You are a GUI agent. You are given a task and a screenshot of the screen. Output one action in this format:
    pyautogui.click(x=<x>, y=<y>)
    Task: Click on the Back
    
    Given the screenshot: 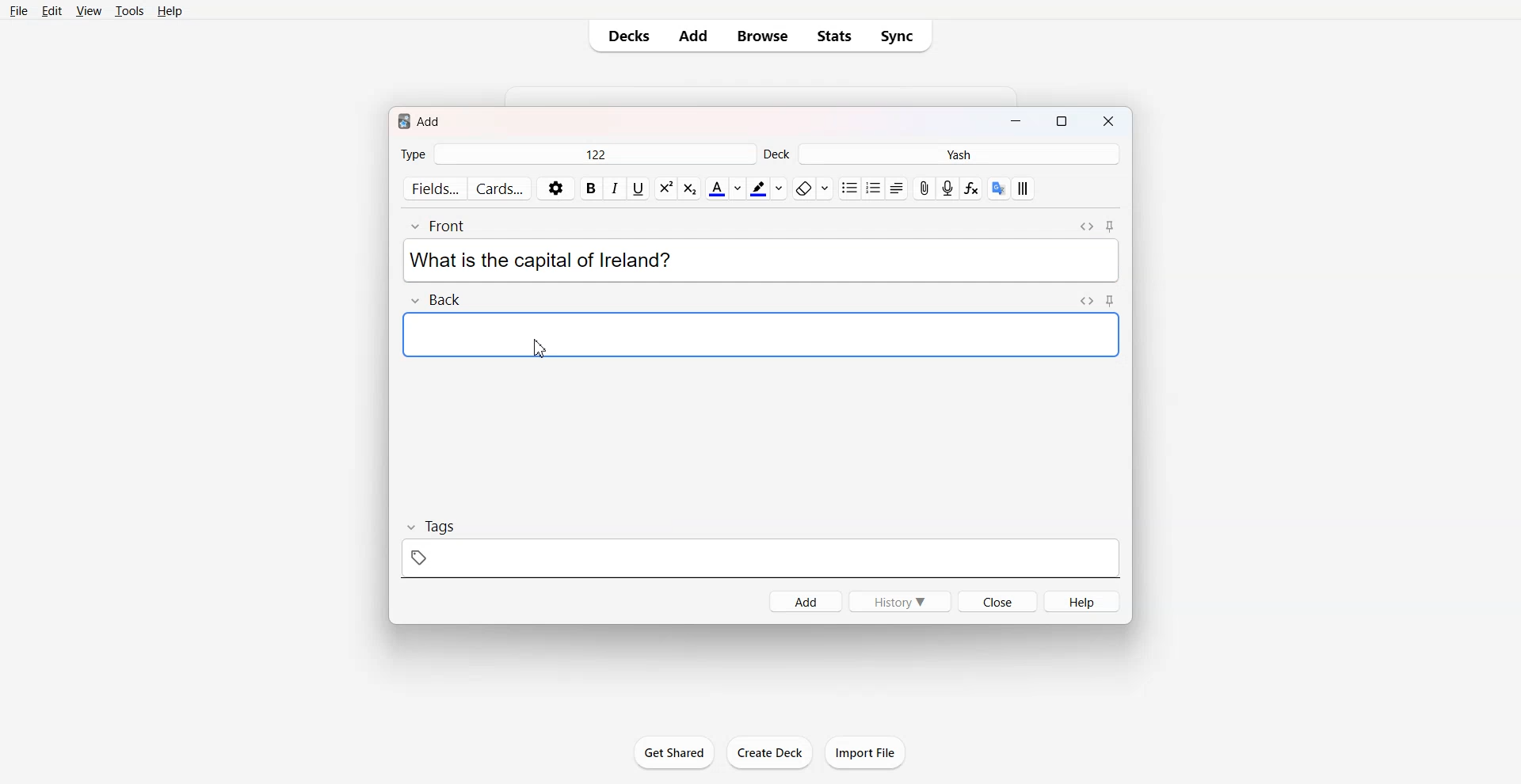 What is the action you would take?
    pyautogui.click(x=434, y=299)
    